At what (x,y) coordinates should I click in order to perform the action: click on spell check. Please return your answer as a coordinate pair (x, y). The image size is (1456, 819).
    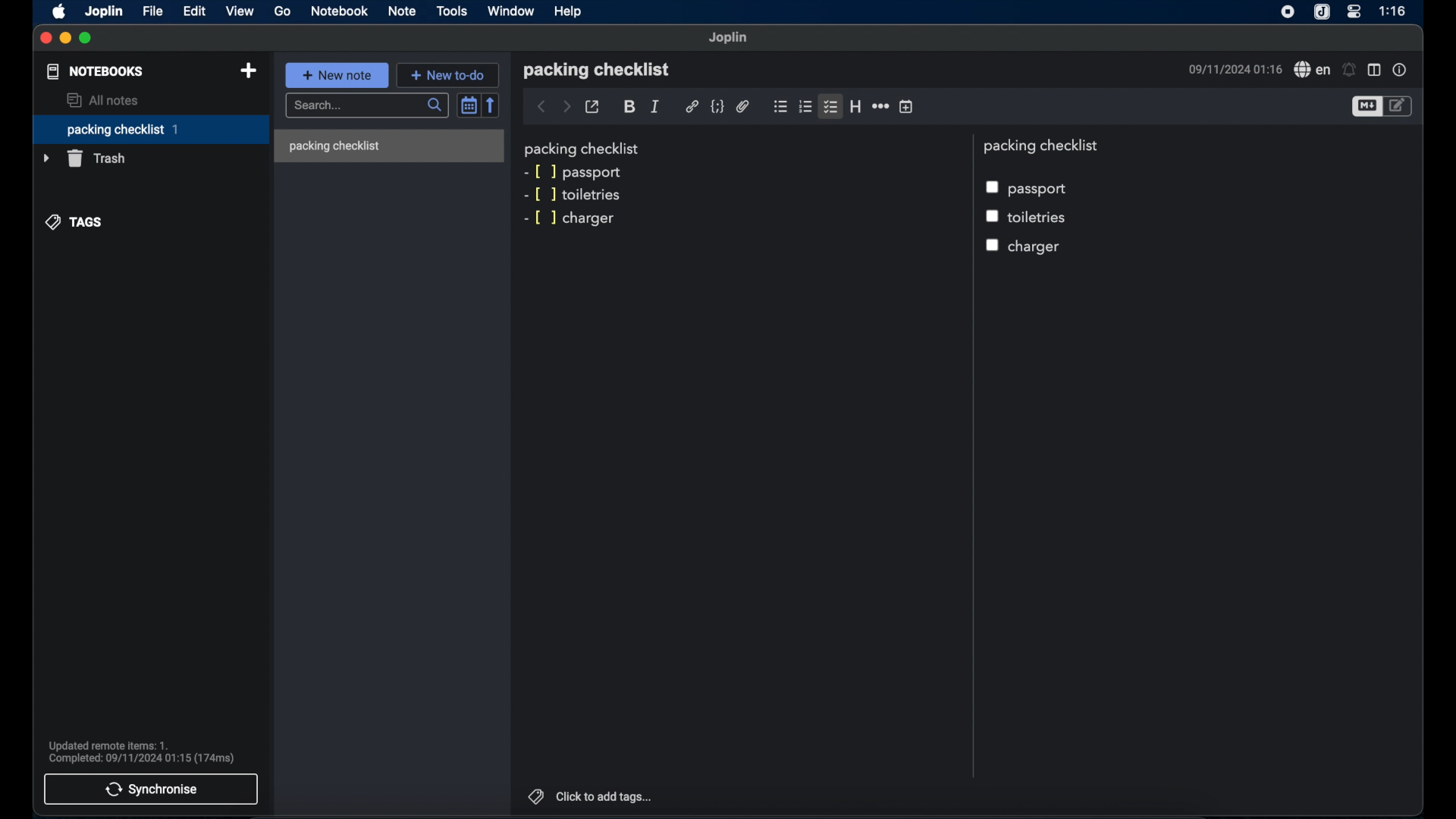
    Looking at the image, I should click on (1312, 70).